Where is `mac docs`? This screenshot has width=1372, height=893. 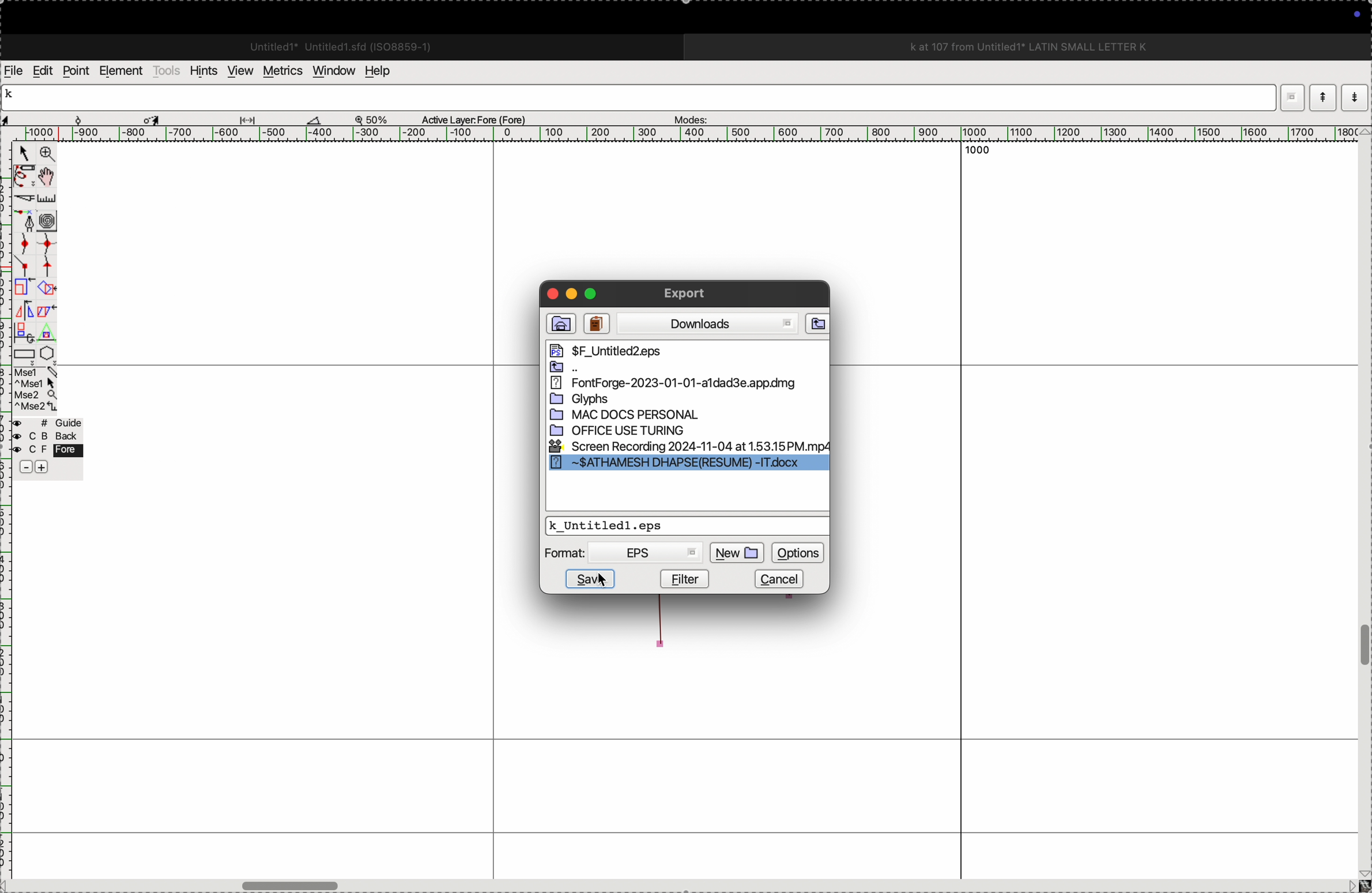 mac docs is located at coordinates (638, 416).